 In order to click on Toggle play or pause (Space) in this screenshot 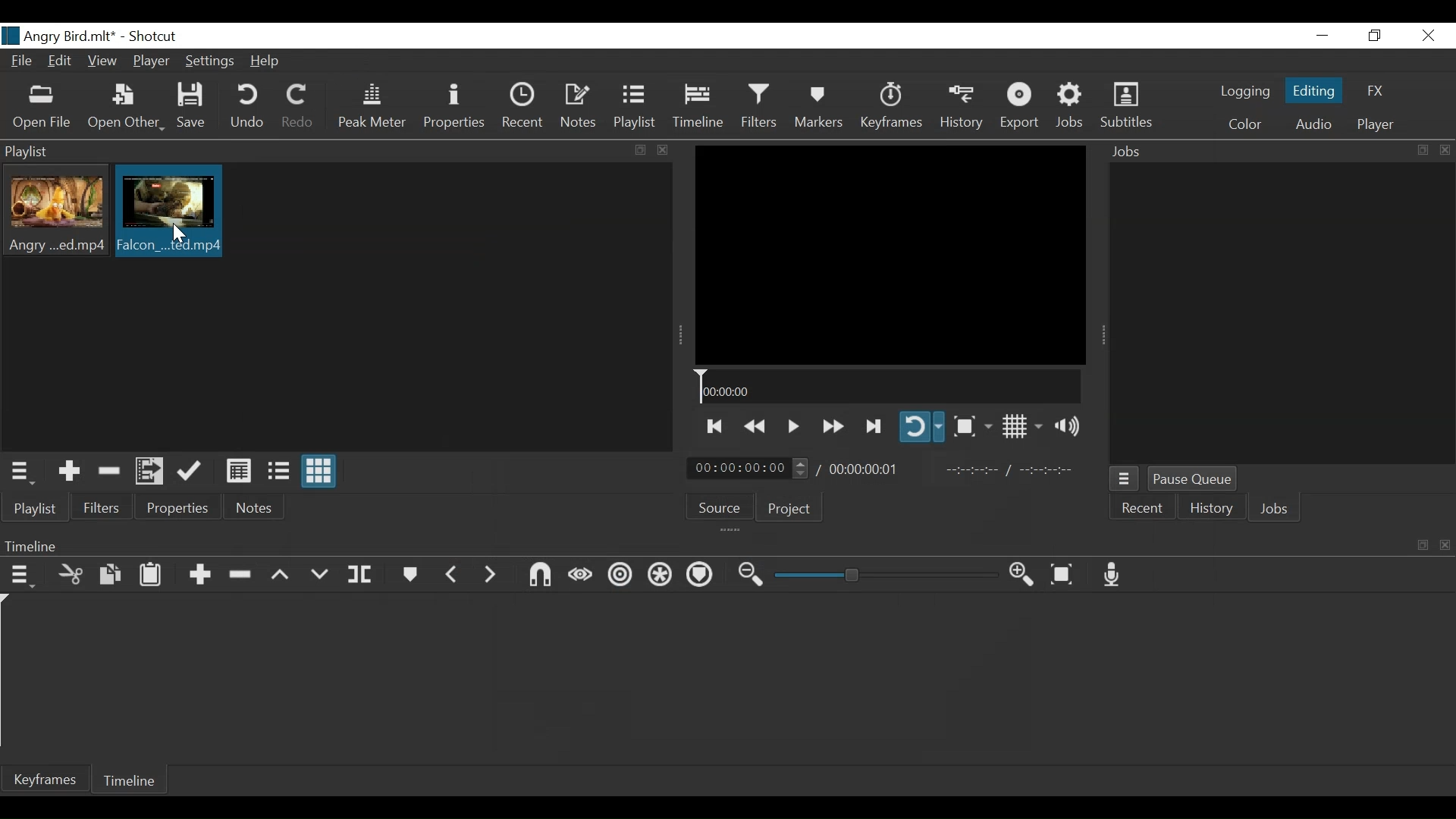, I will do `click(791, 428)`.